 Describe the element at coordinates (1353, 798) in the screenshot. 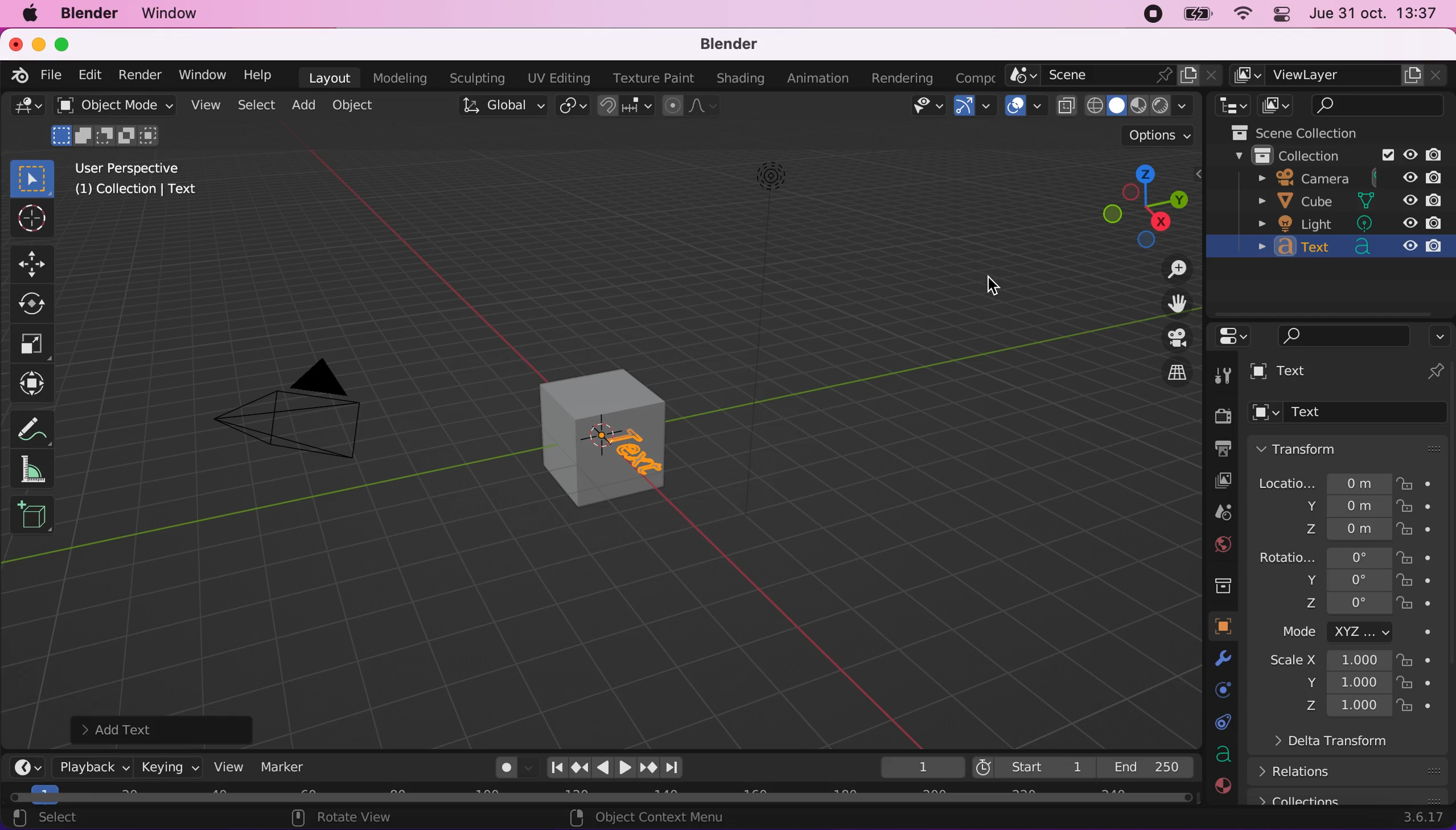

I see `collections` at that location.